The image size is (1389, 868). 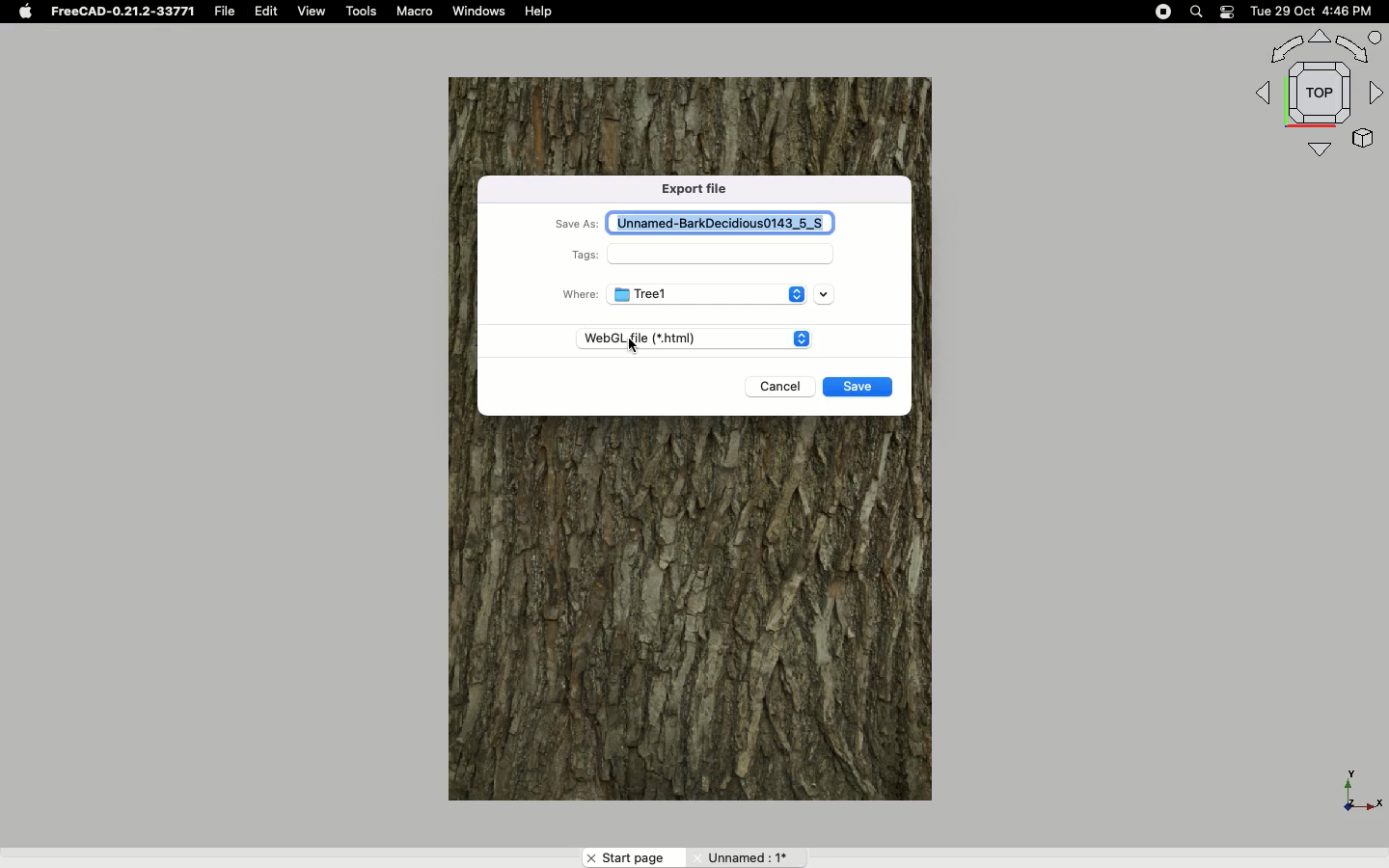 What do you see at coordinates (780, 388) in the screenshot?
I see `Cancel` at bounding box center [780, 388].